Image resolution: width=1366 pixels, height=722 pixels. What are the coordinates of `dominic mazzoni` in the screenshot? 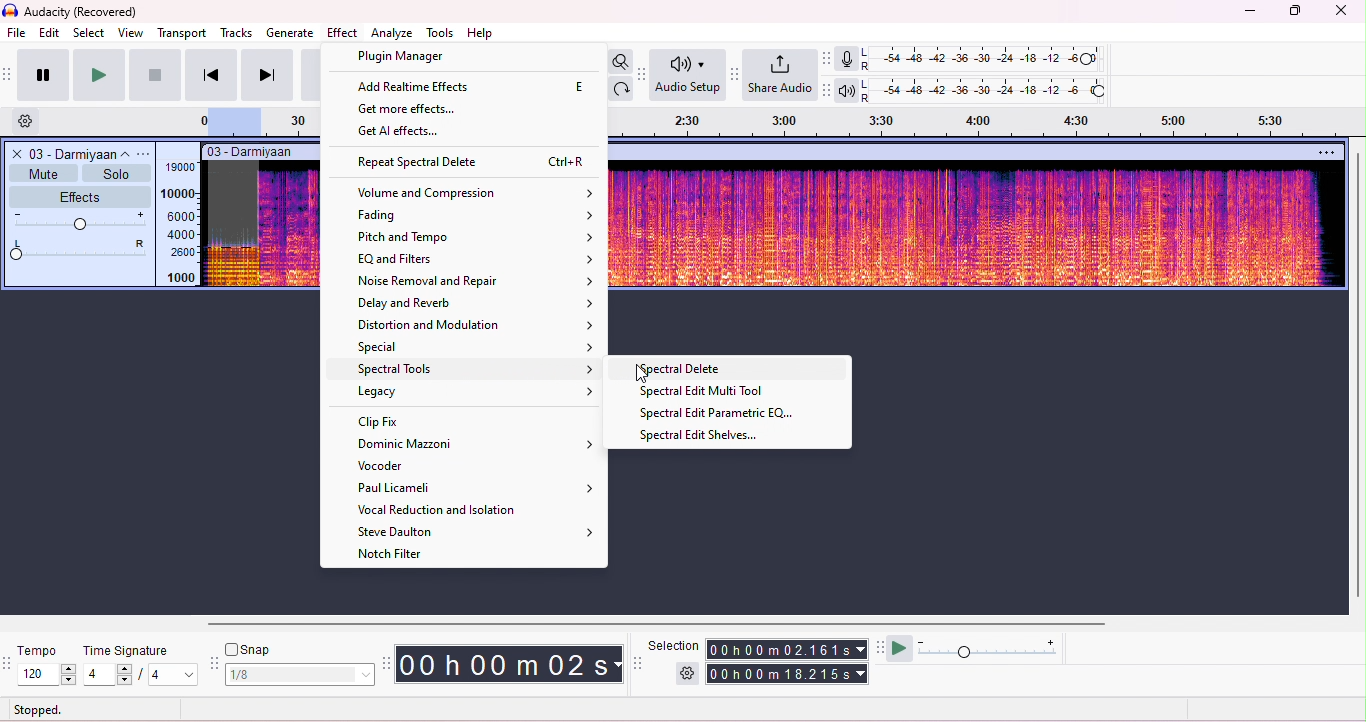 It's located at (462, 444).